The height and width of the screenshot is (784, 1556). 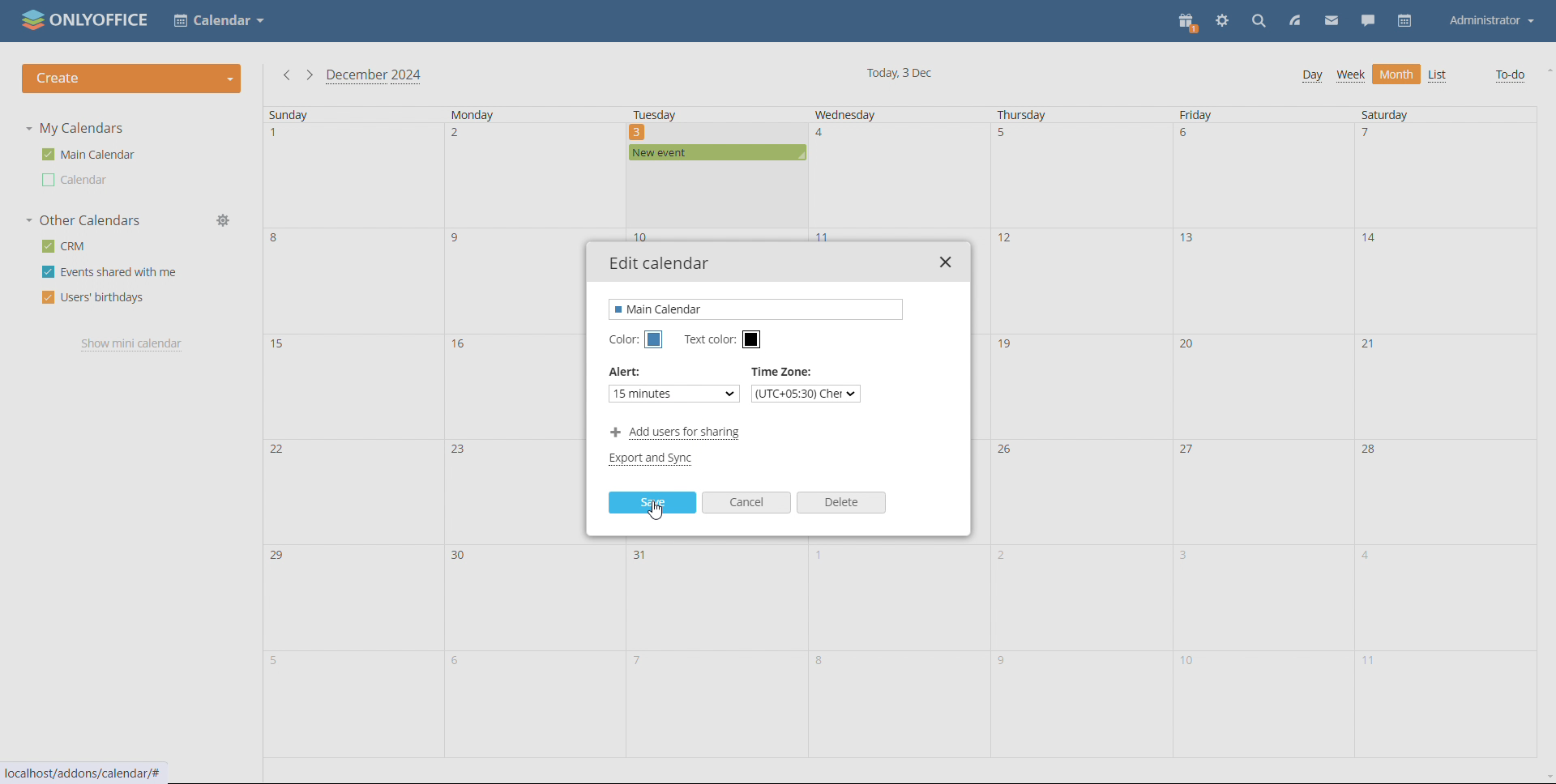 What do you see at coordinates (62, 246) in the screenshot?
I see `crm` at bounding box center [62, 246].